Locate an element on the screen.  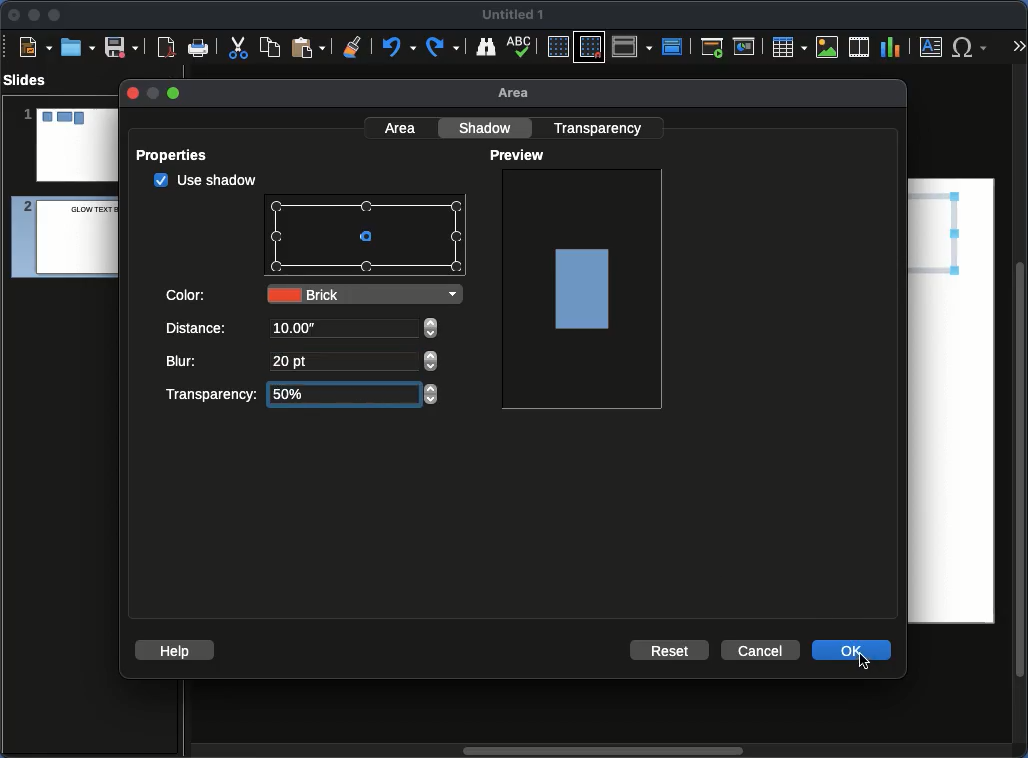
Special characters is located at coordinates (974, 47).